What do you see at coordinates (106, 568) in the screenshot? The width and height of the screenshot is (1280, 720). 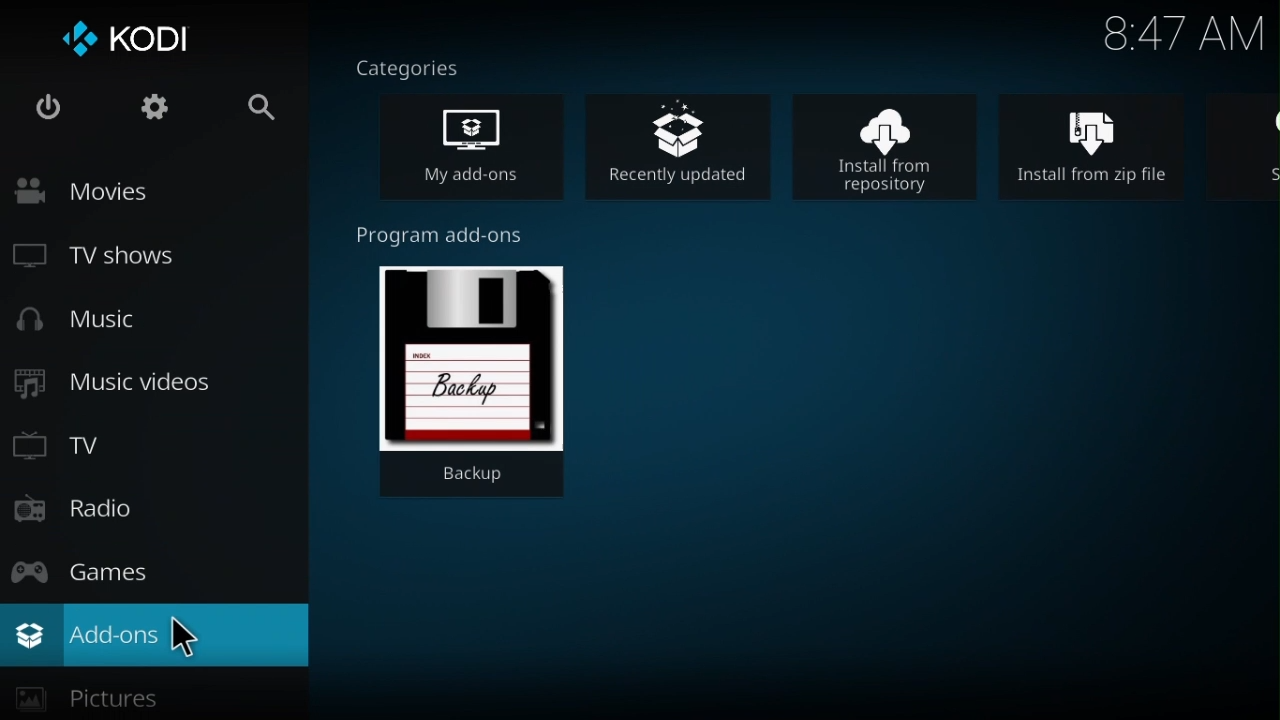 I see `Games` at bounding box center [106, 568].